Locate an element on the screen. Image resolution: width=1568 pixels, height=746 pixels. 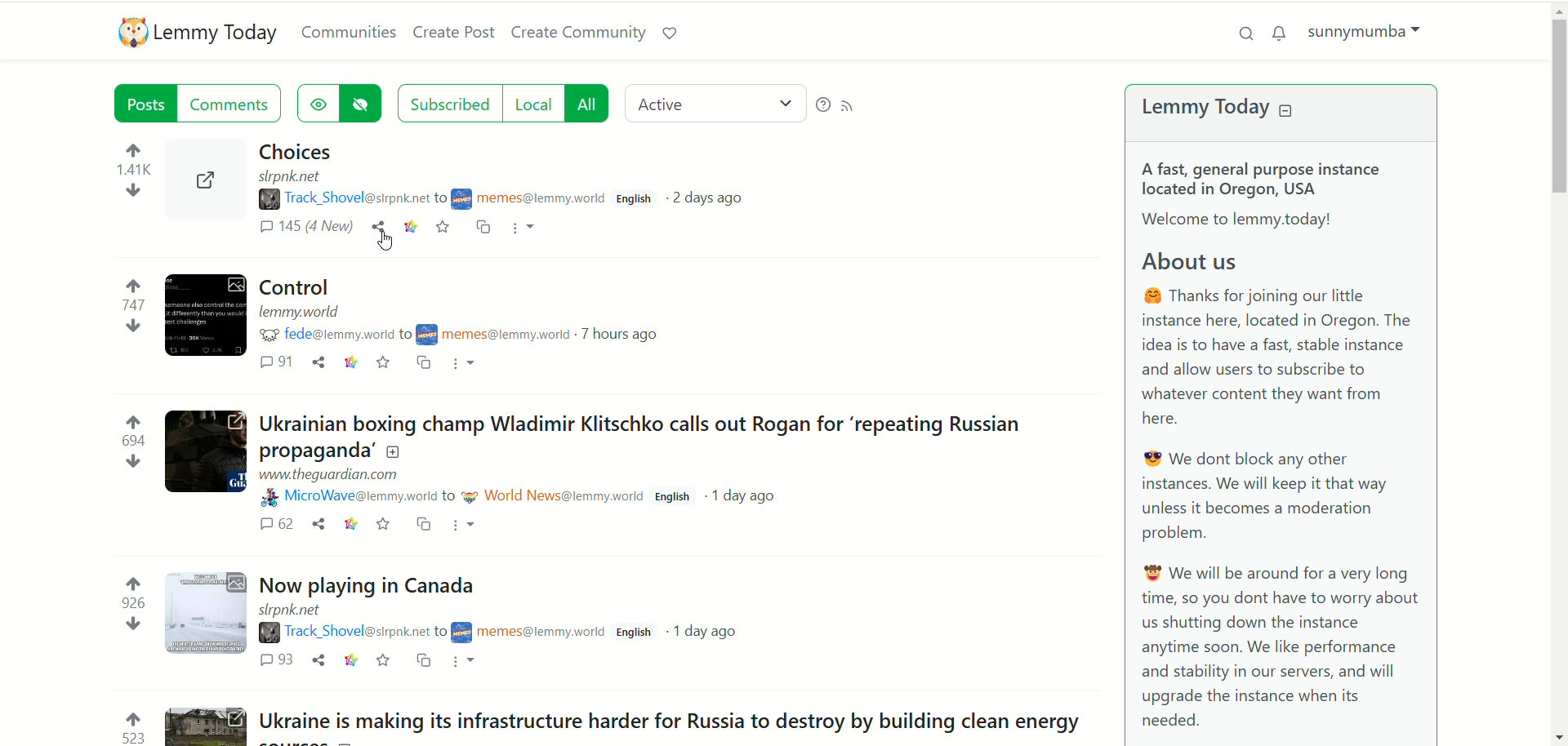
cross post is located at coordinates (481, 229).